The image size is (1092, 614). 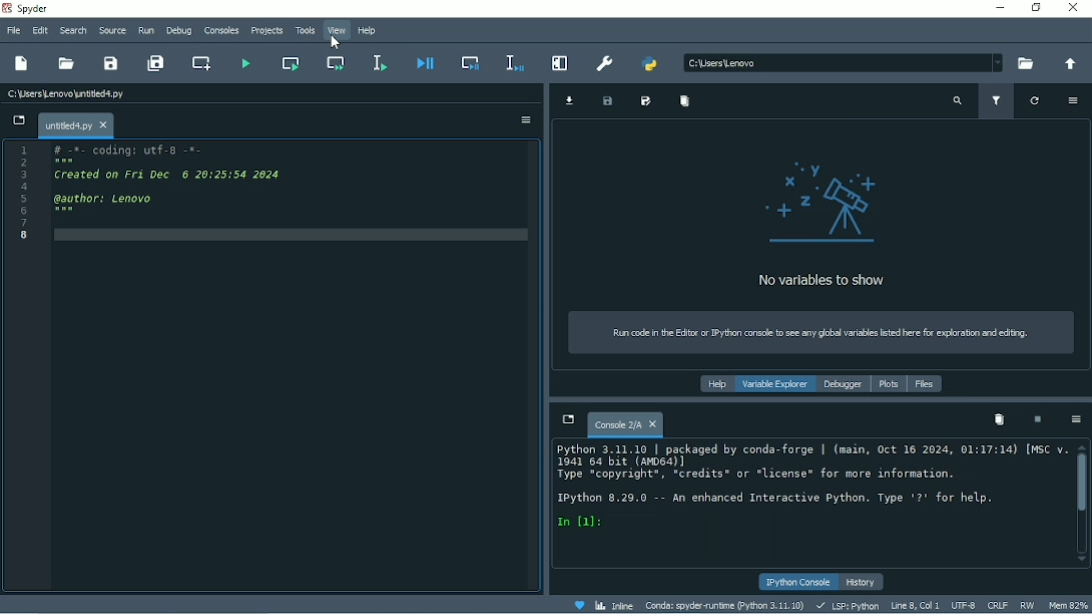 What do you see at coordinates (29, 9) in the screenshot?
I see `Spyder` at bounding box center [29, 9].